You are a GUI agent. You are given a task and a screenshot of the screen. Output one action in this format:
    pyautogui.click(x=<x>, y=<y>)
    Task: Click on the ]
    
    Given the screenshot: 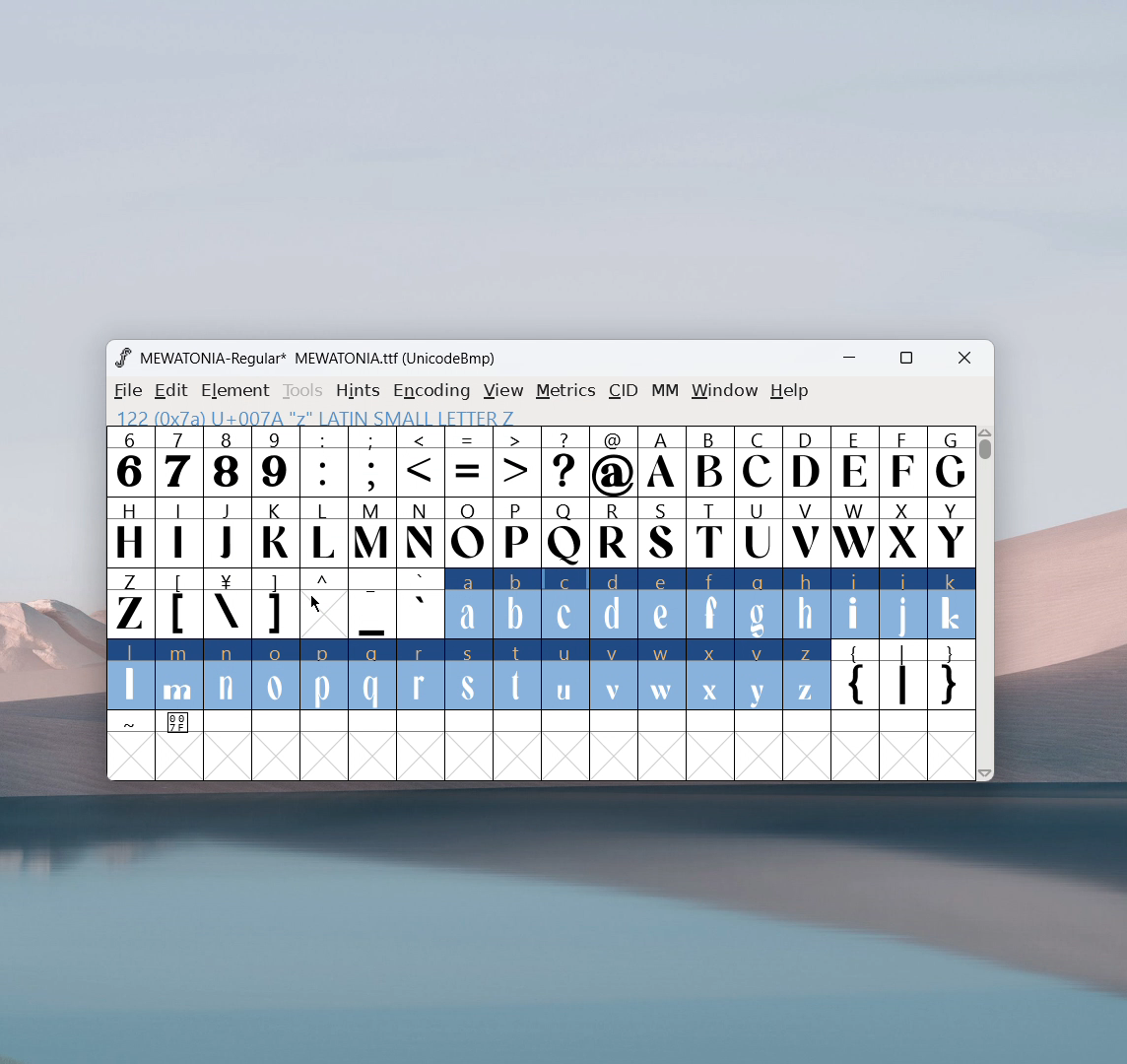 What is the action you would take?
    pyautogui.click(x=275, y=604)
    